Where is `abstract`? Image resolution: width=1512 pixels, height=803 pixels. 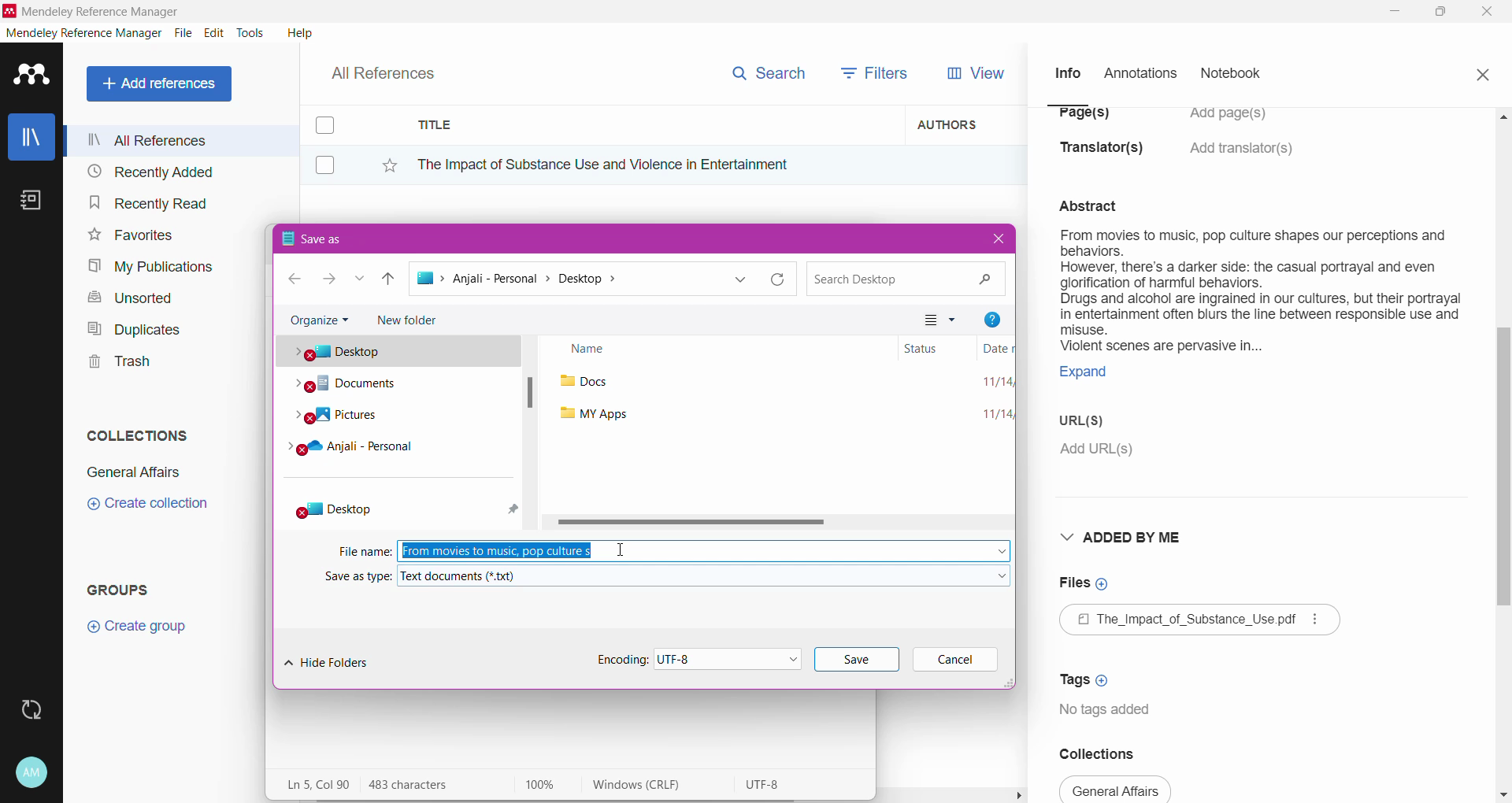
abstract is located at coordinates (1098, 204).